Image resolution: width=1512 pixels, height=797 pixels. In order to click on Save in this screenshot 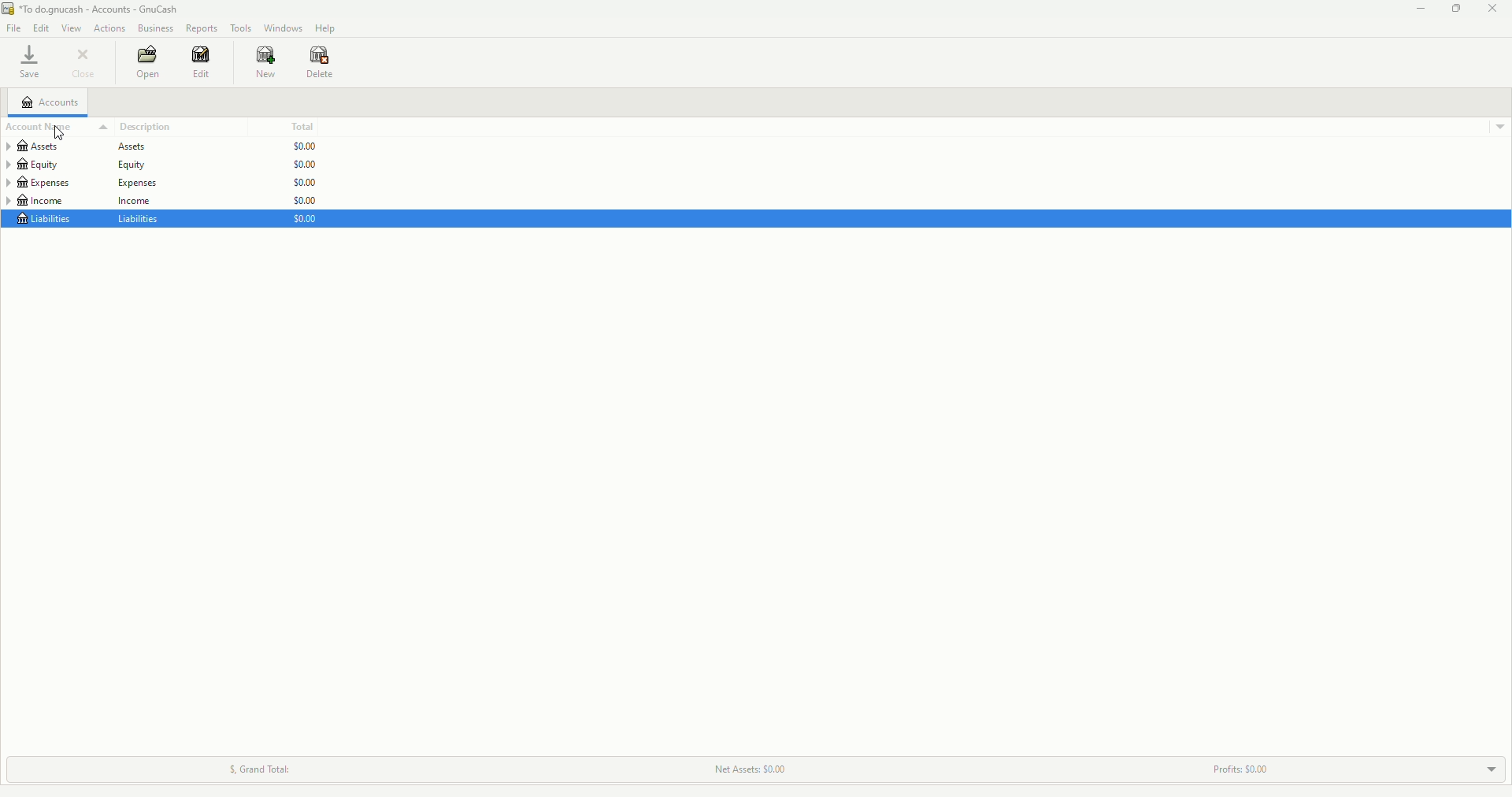, I will do `click(33, 63)`.